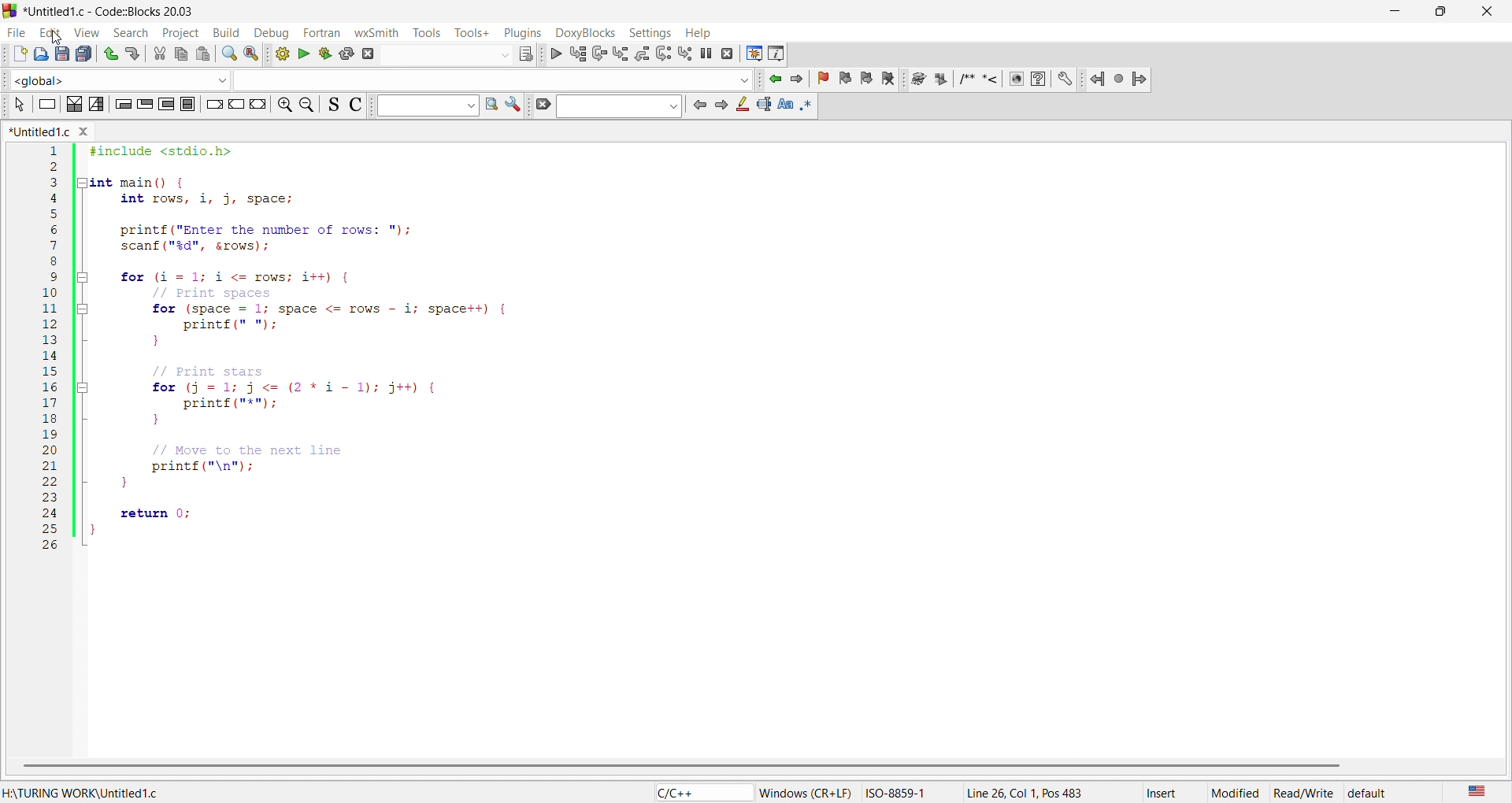 Image resolution: width=1512 pixels, height=803 pixels. Describe the element at coordinates (348, 54) in the screenshot. I see `rebuild` at that location.